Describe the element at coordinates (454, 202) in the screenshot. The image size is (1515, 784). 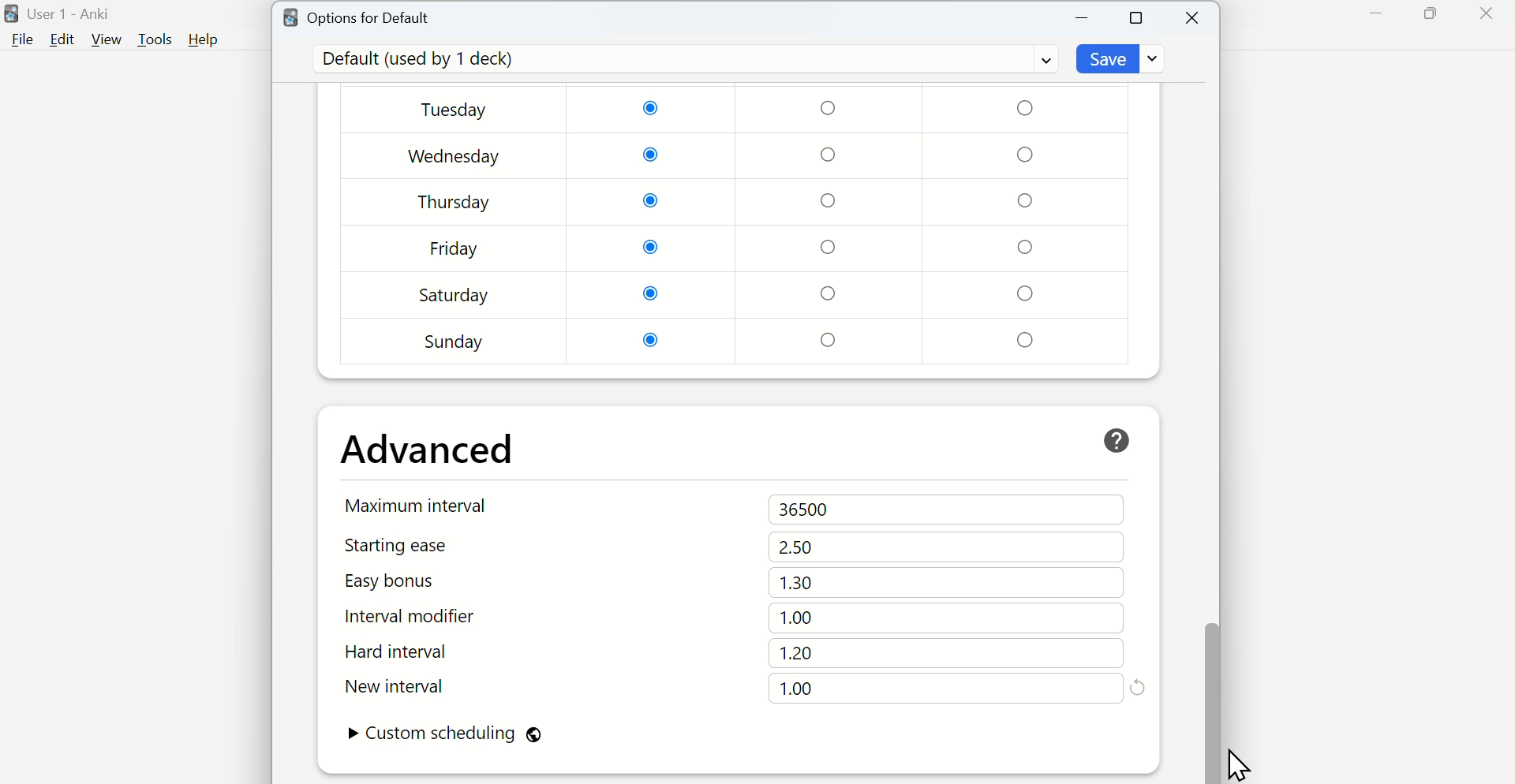
I see `Thursday` at that location.